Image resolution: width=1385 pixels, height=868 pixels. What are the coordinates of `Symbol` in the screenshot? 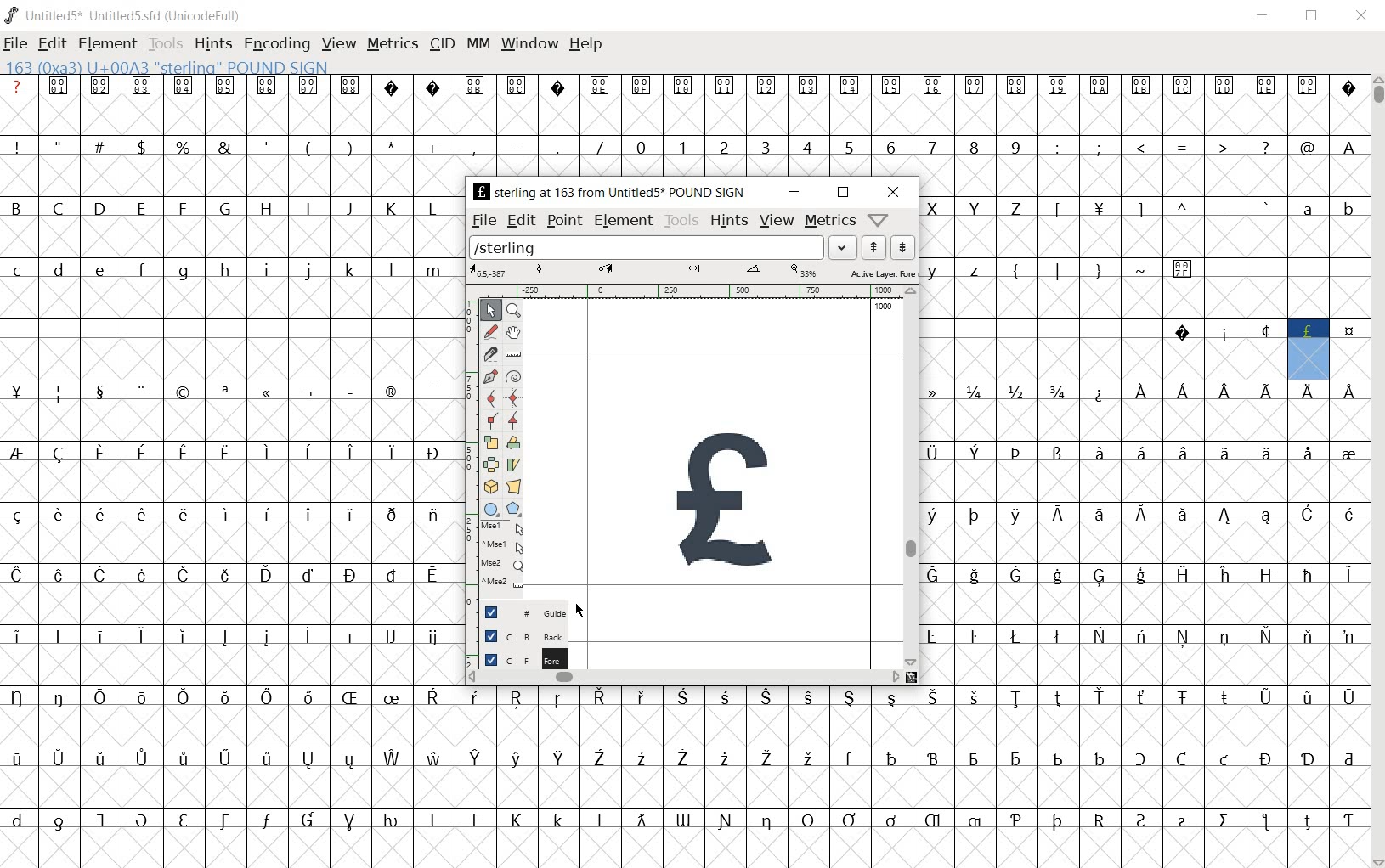 It's located at (20, 515).